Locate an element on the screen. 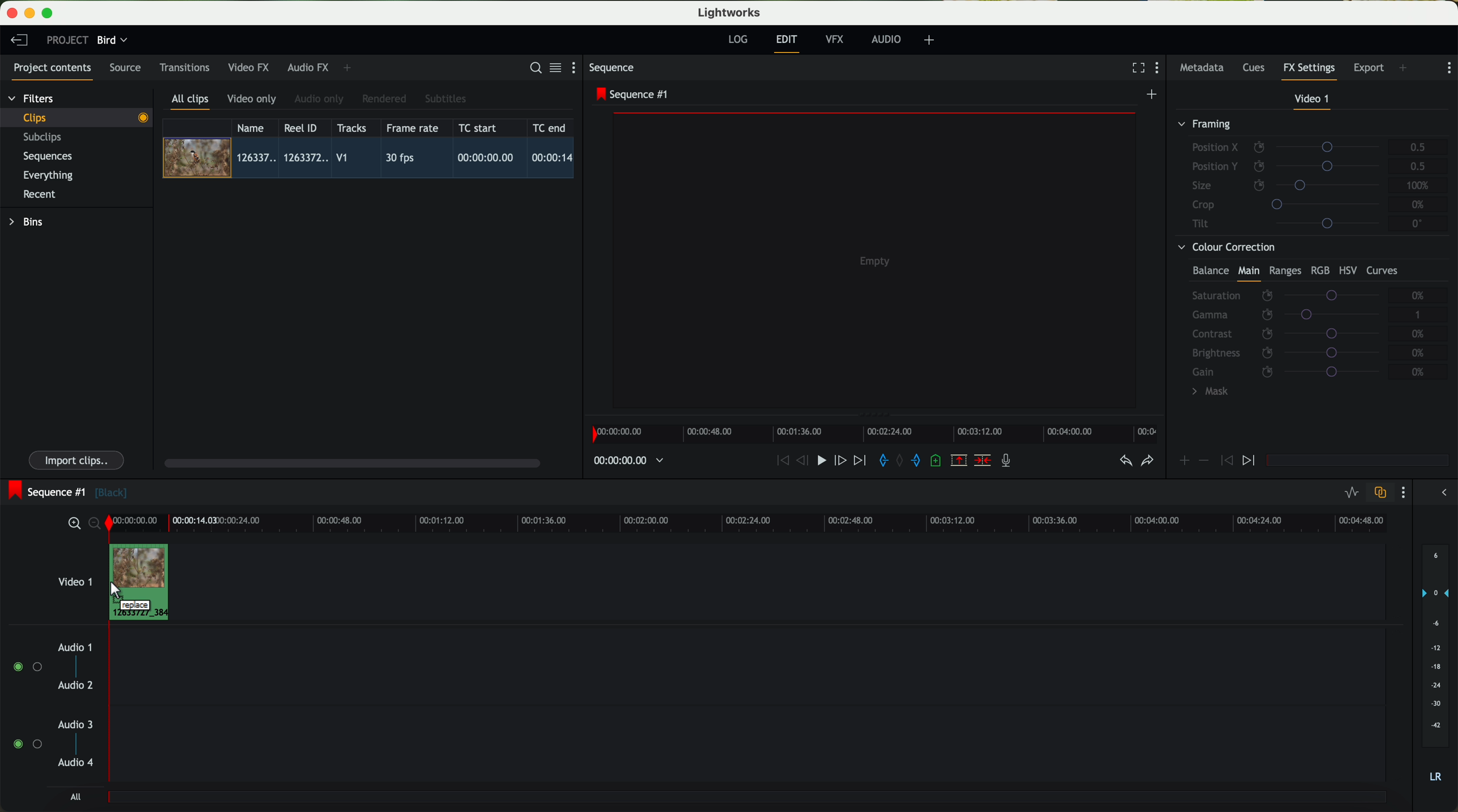 Image resolution: width=1458 pixels, height=812 pixels. close program is located at coordinates (12, 13).